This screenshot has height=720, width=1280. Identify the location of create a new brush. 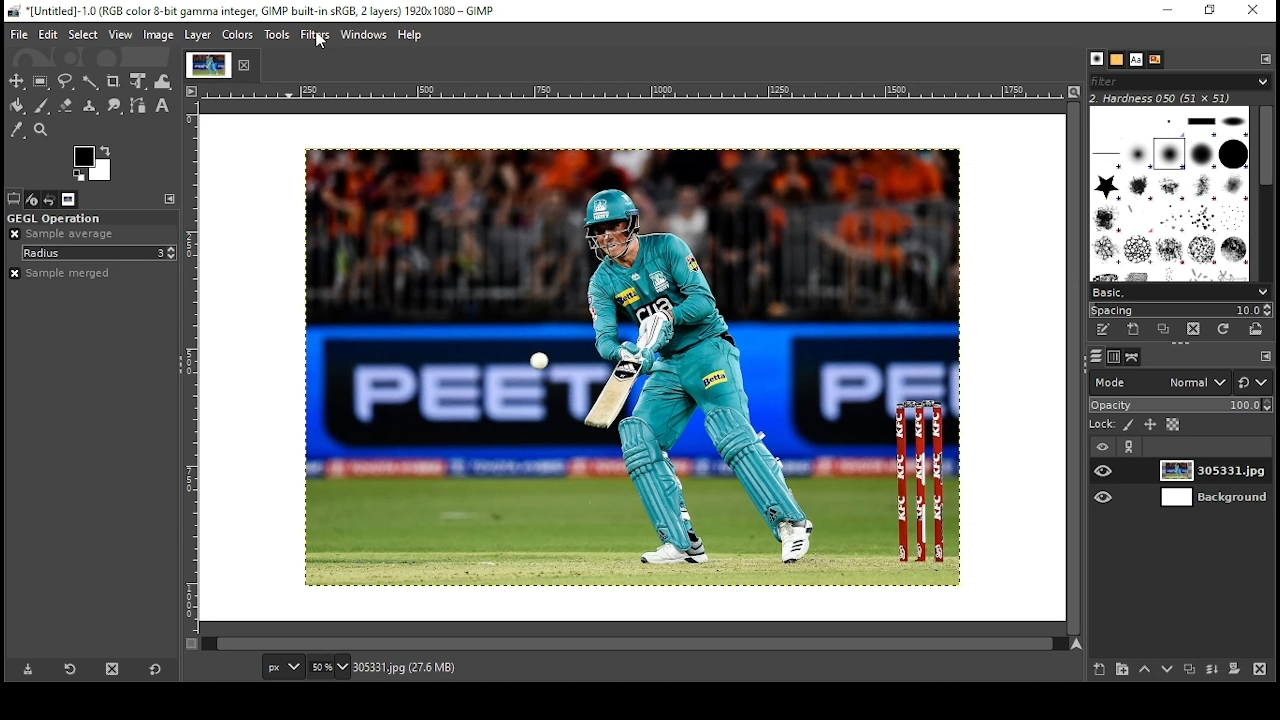
(1134, 329).